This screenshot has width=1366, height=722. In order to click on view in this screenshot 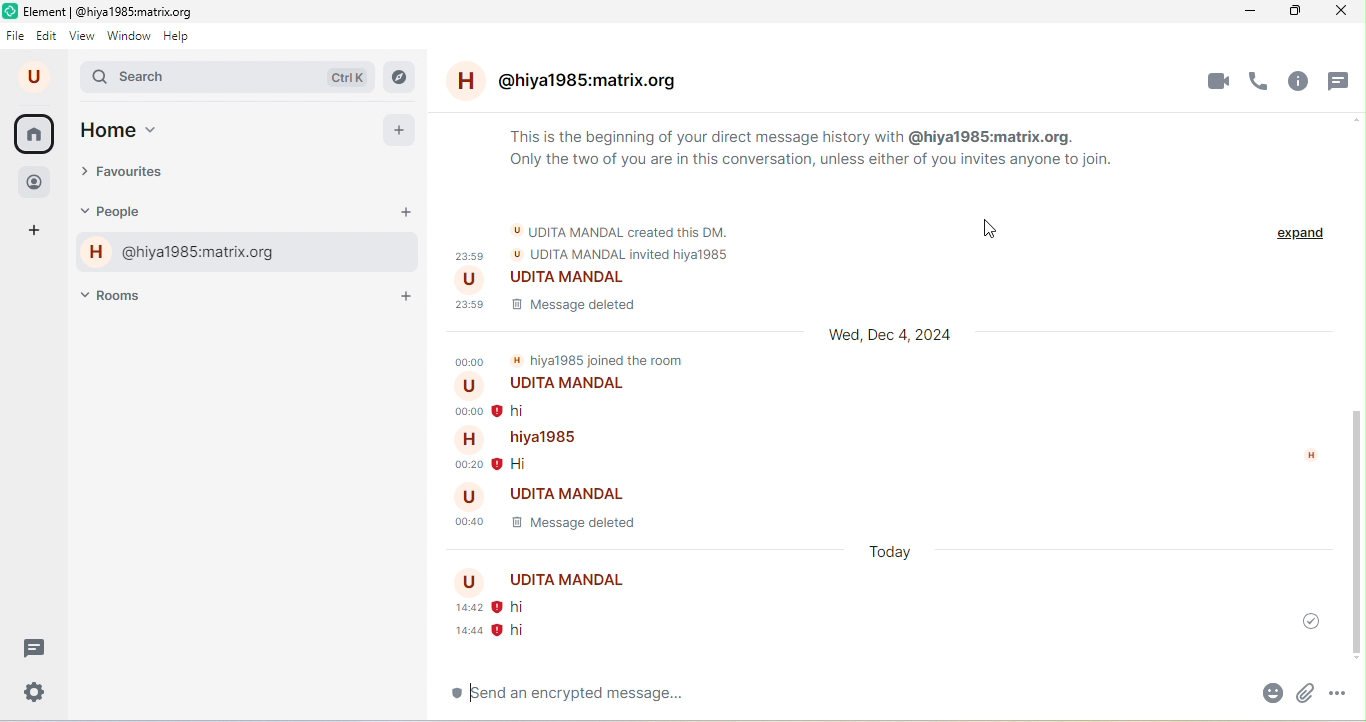, I will do `click(82, 35)`.